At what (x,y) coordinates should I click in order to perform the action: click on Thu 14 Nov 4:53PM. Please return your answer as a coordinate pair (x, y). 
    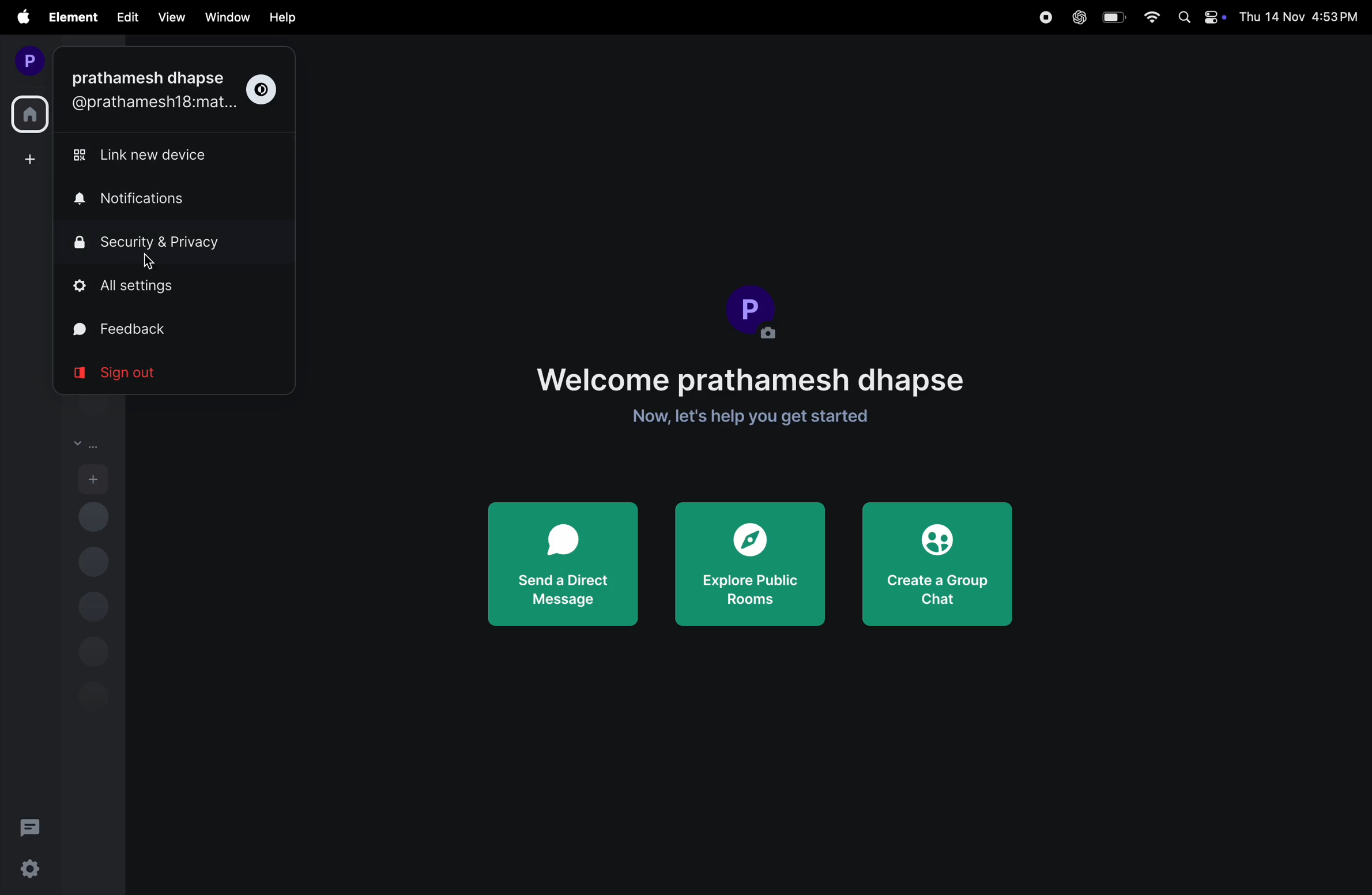
    Looking at the image, I should click on (1298, 16).